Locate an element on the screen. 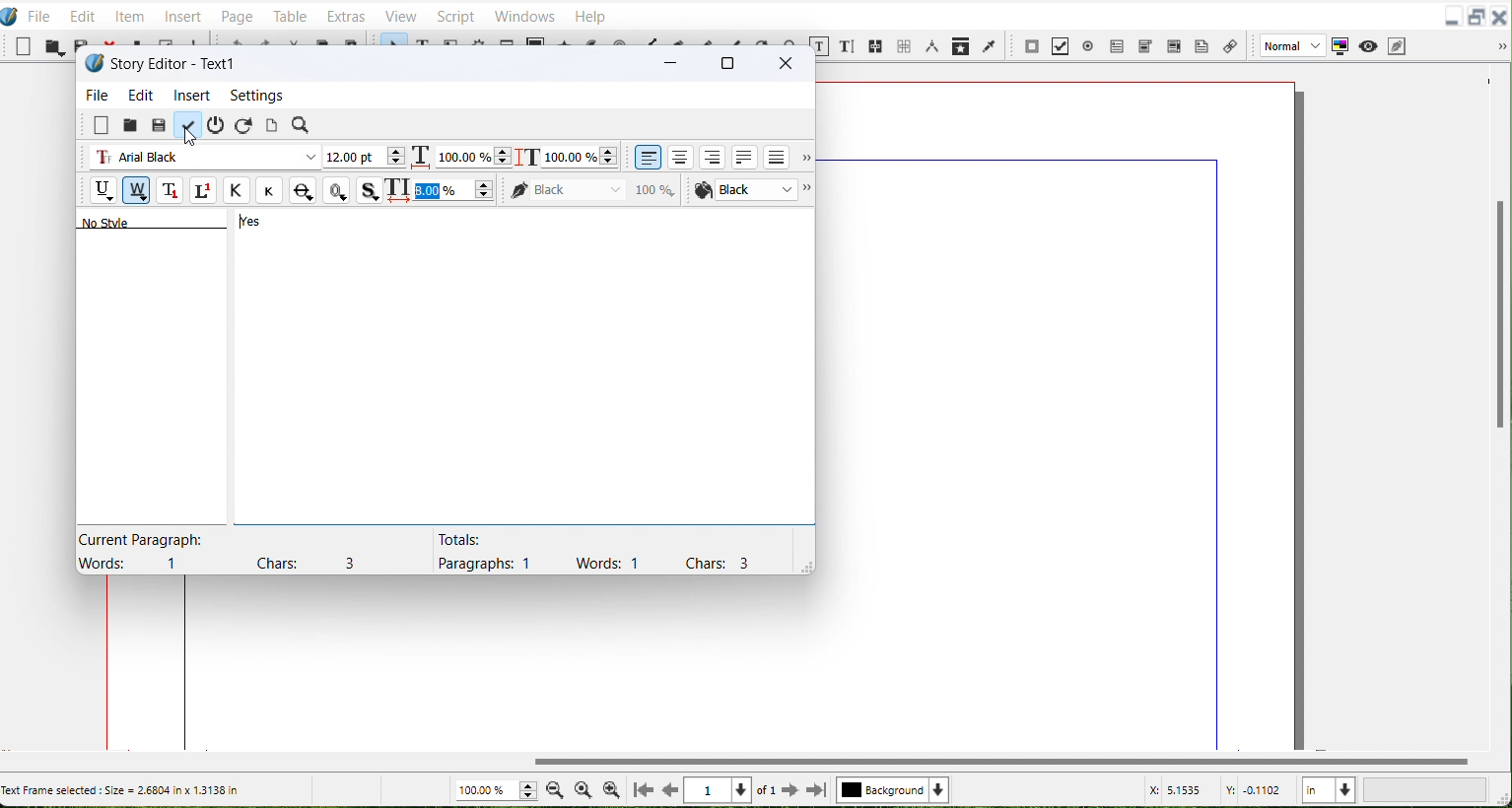 The image size is (1512, 808). Update text frame is located at coordinates (187, 125).